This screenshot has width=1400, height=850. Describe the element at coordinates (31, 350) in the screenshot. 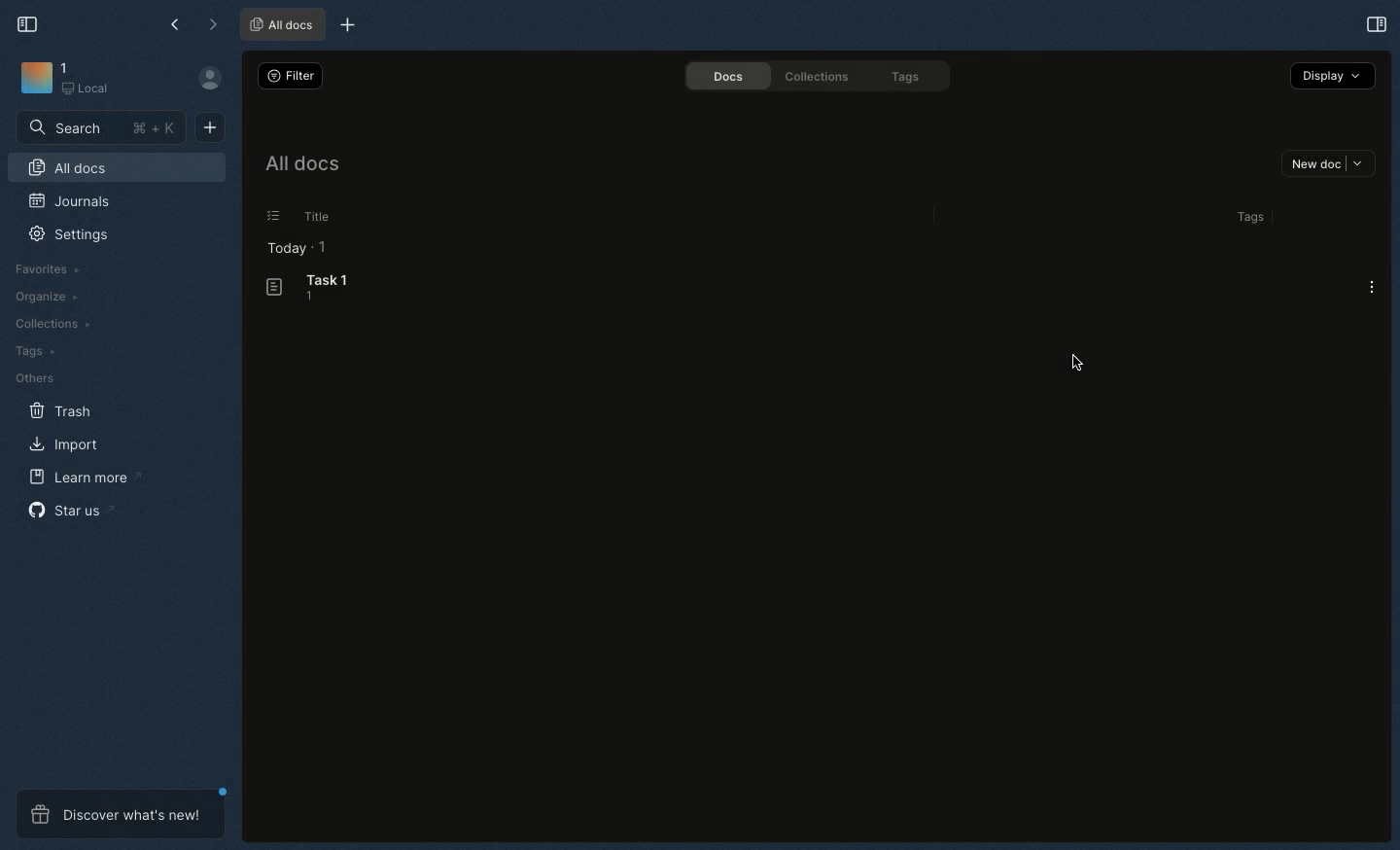

I see `Tags` at that location.